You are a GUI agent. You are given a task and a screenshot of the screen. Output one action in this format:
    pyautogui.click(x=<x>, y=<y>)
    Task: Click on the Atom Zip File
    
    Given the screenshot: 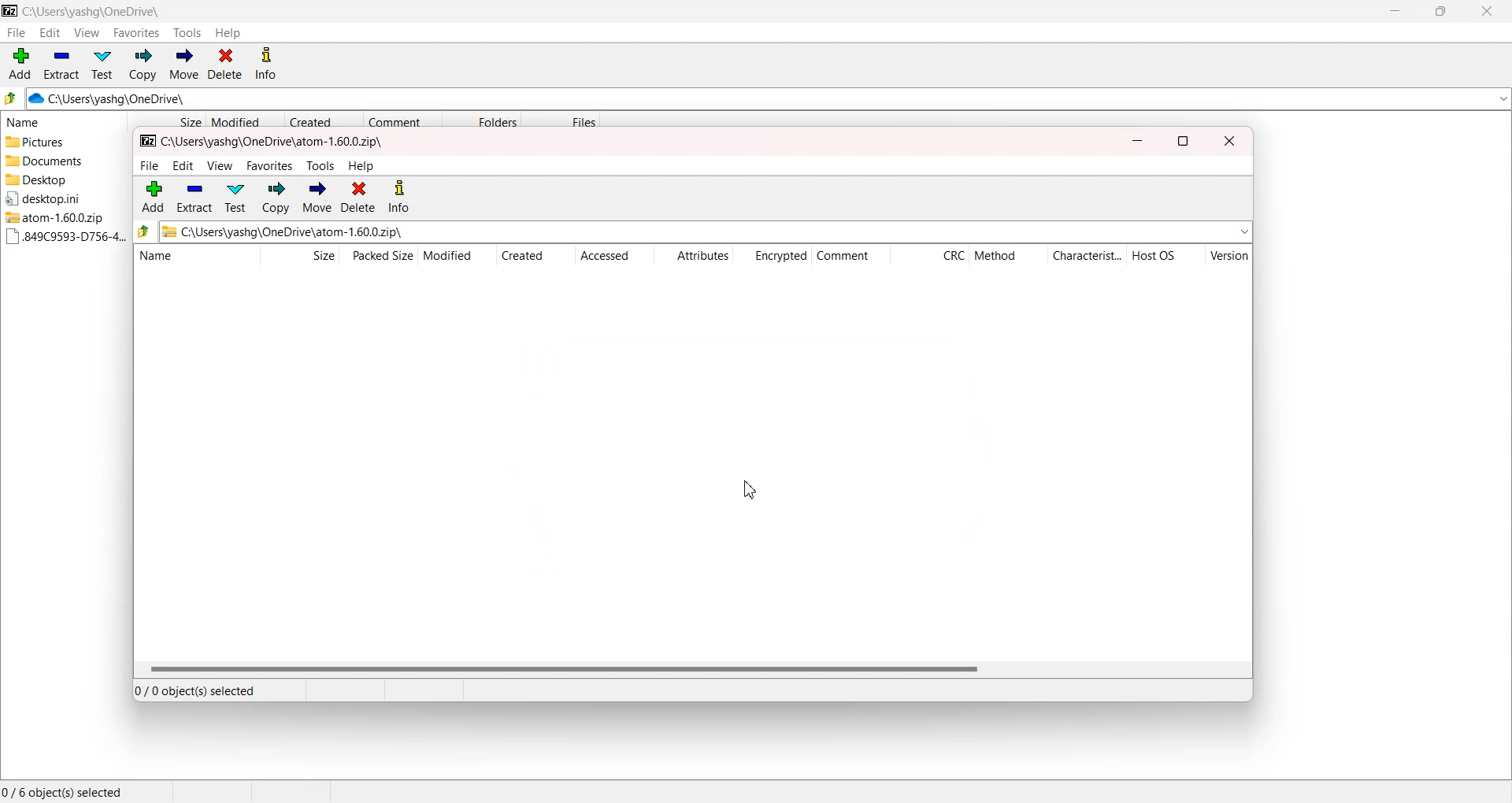 What is the action you would take?
    pyautogui.click(x=60, y=217)
    